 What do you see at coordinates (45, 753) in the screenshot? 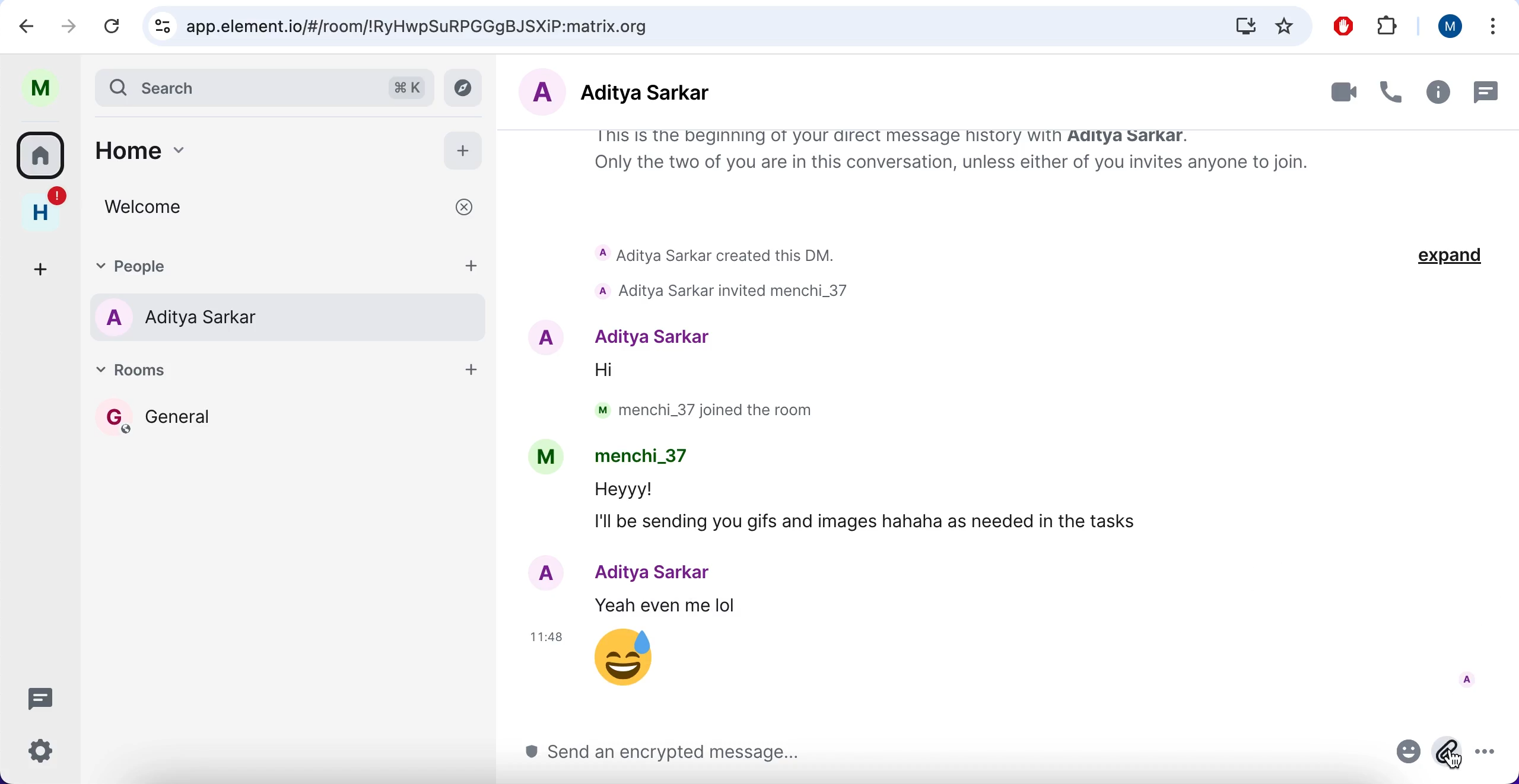
I see `configuration` at bounding box center [45, 753].